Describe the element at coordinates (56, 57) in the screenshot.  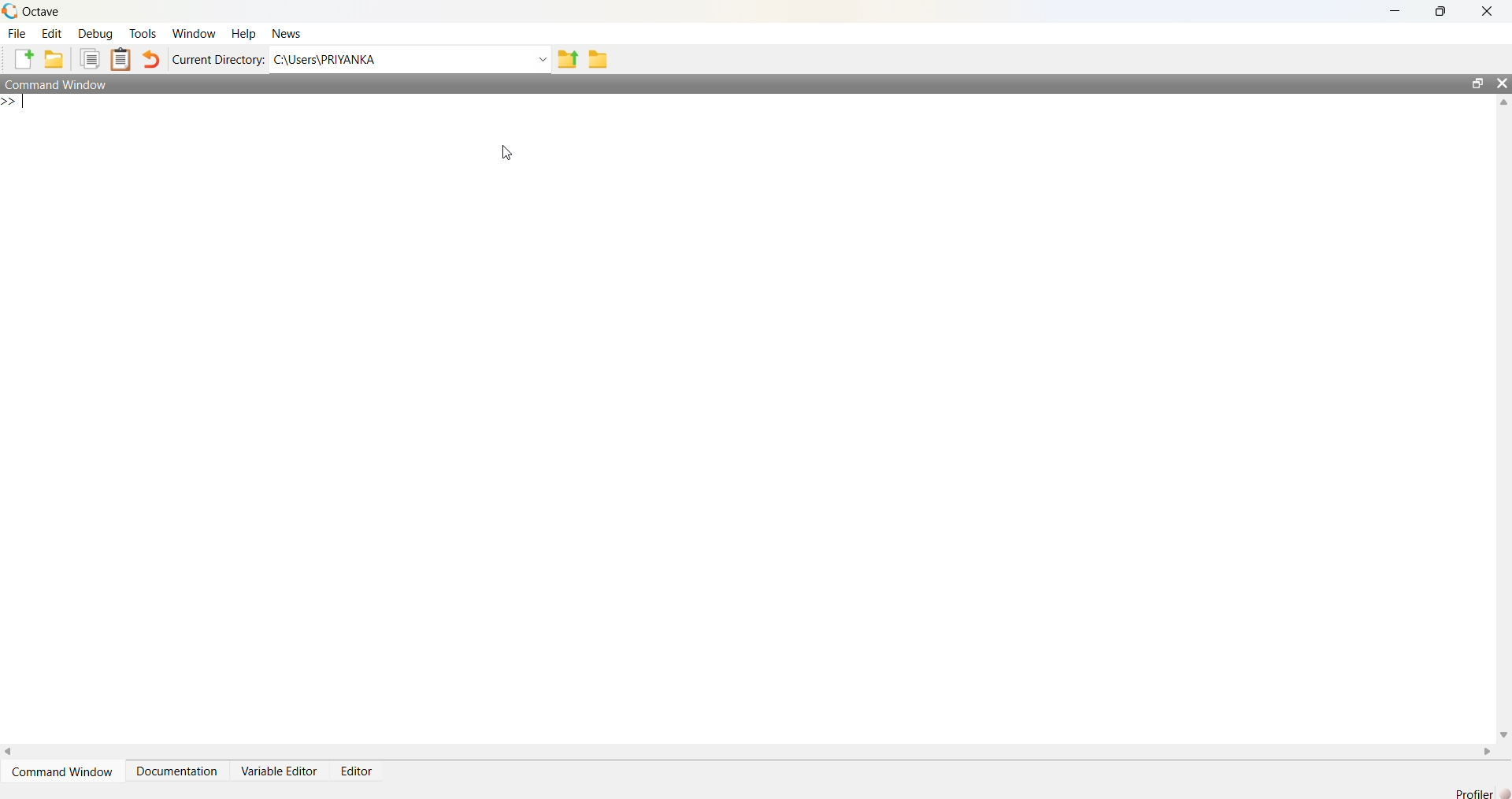
I see `Open an existing file in editor` at that location.